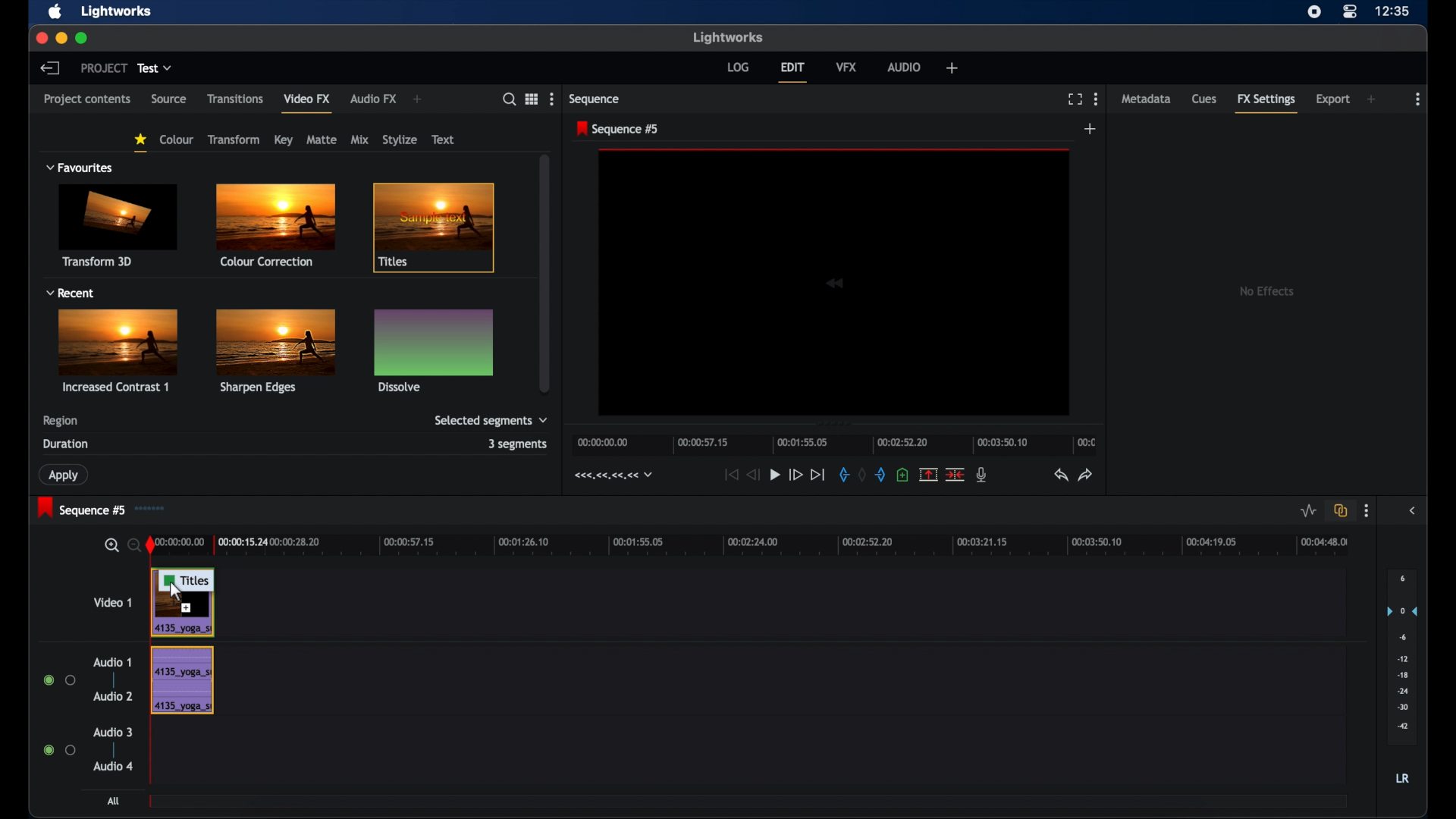 This screenshot has width=1456, height=819. Describe the element at coordinates (730, 475) in the screenshot. I see `jump to start` at that location.